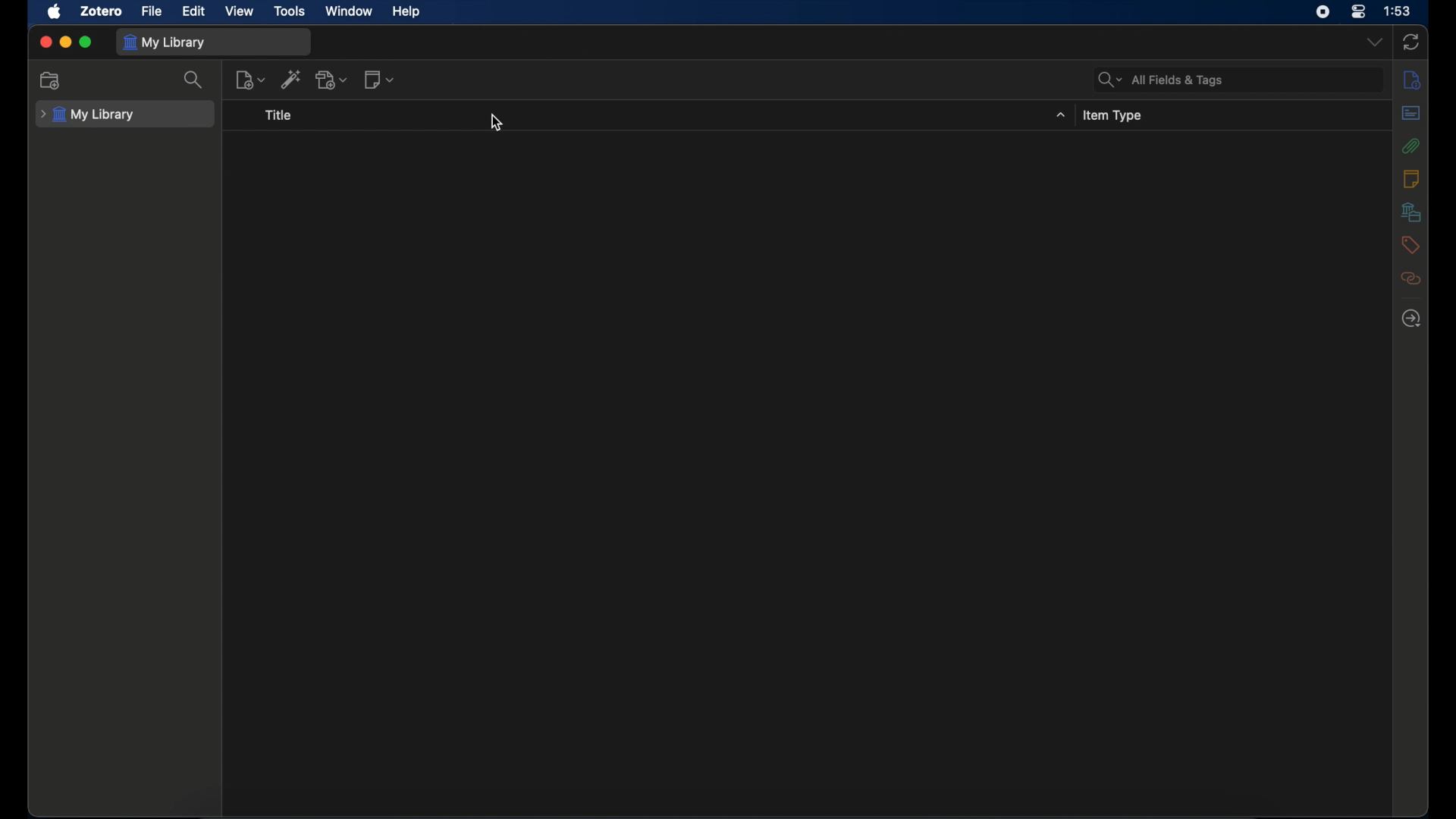 The image size is (1456, 819). Describe the element at coordinates (87, 115) in the screenshot. I see `my library` at that location.